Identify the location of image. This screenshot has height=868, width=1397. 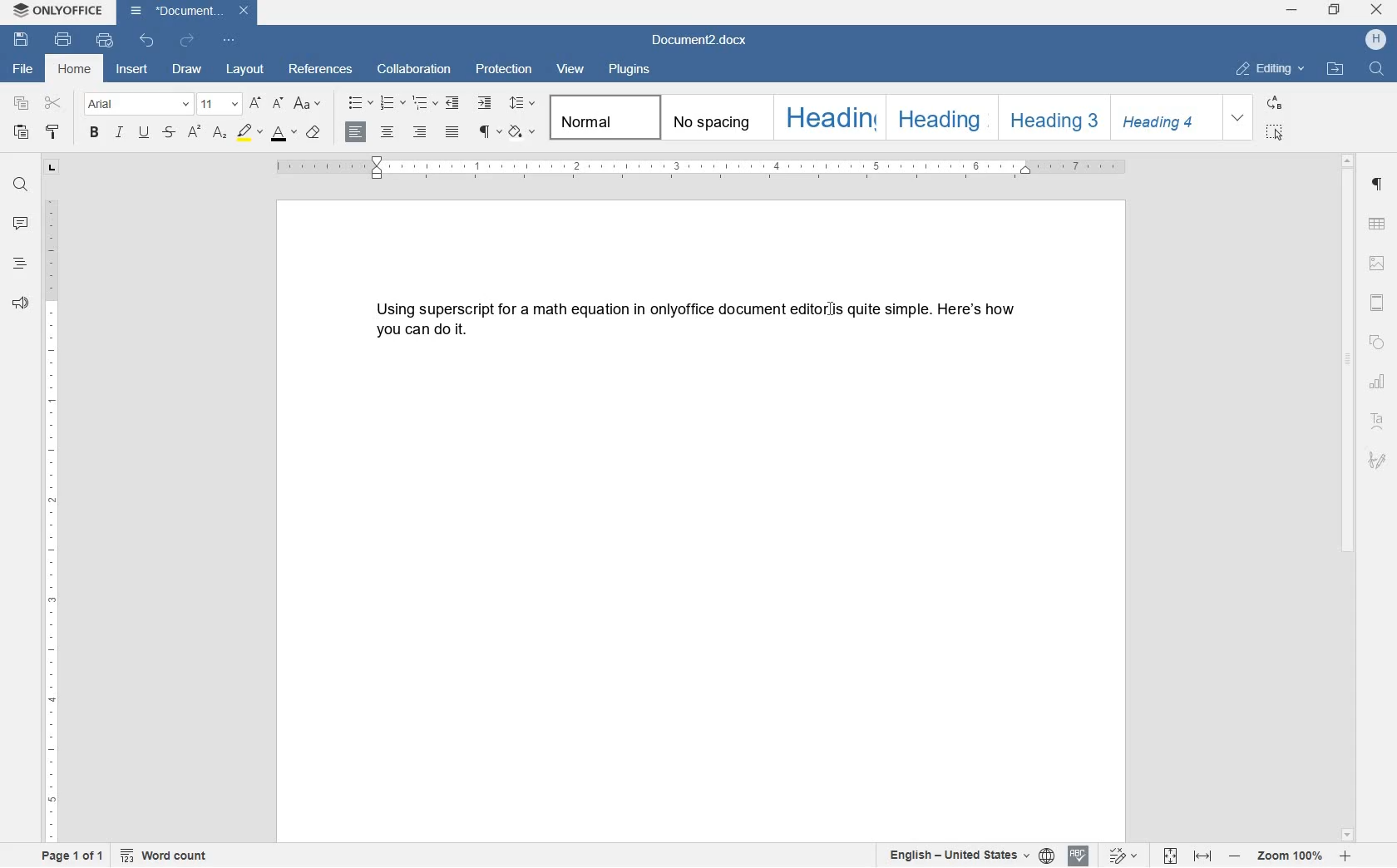
(1377, 263).